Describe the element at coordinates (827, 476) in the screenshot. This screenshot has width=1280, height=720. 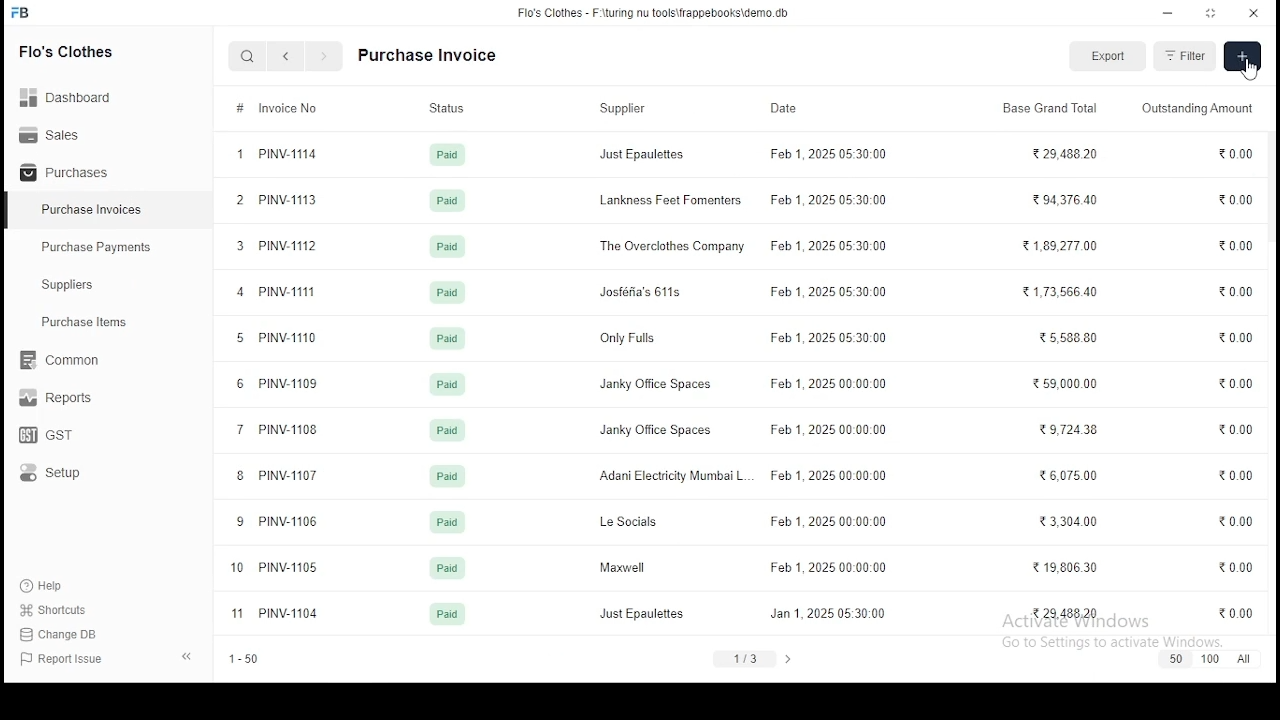
I see `feb 1, 2025 05:30:00` at that location.